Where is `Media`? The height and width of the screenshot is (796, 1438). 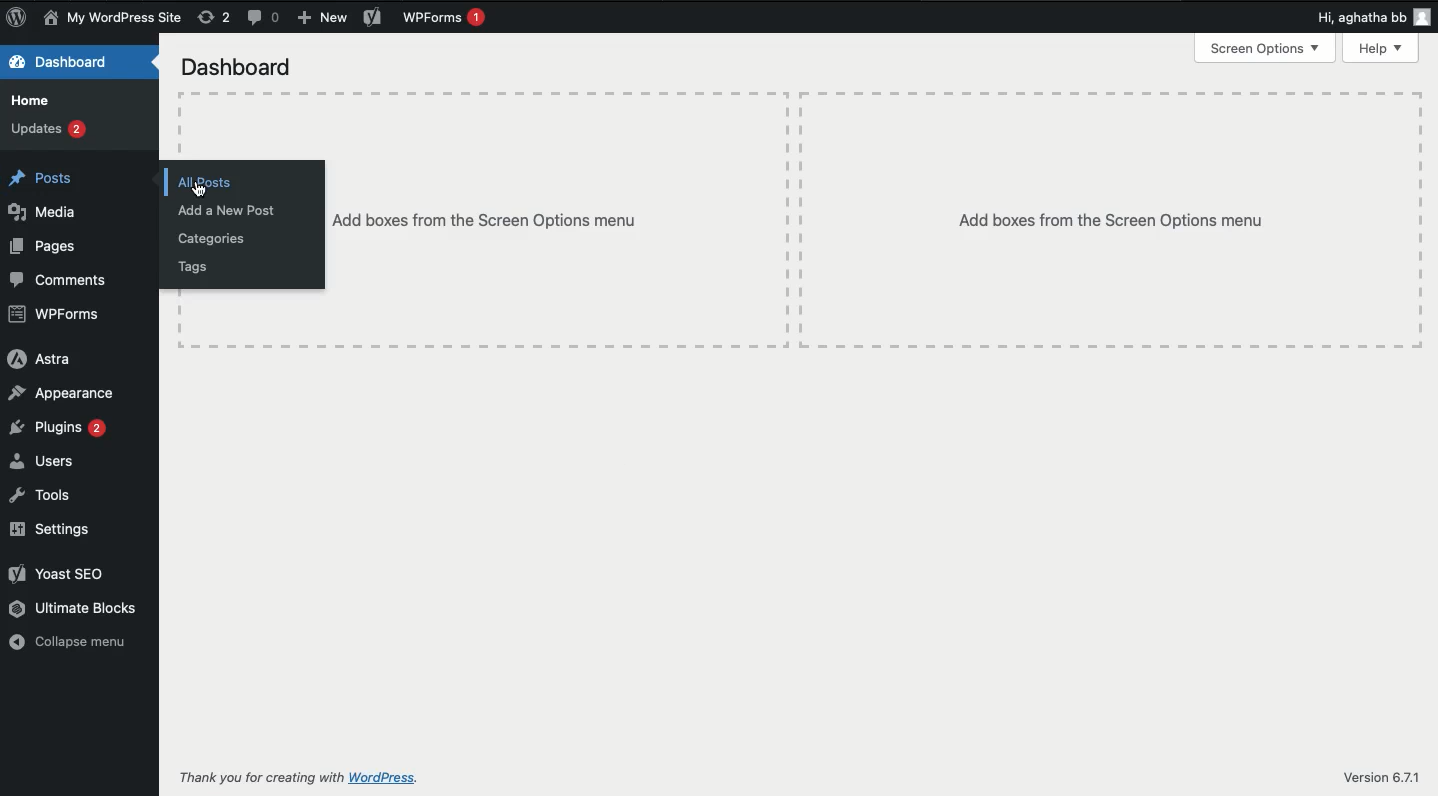
Media is located at coordinates (46, 211).